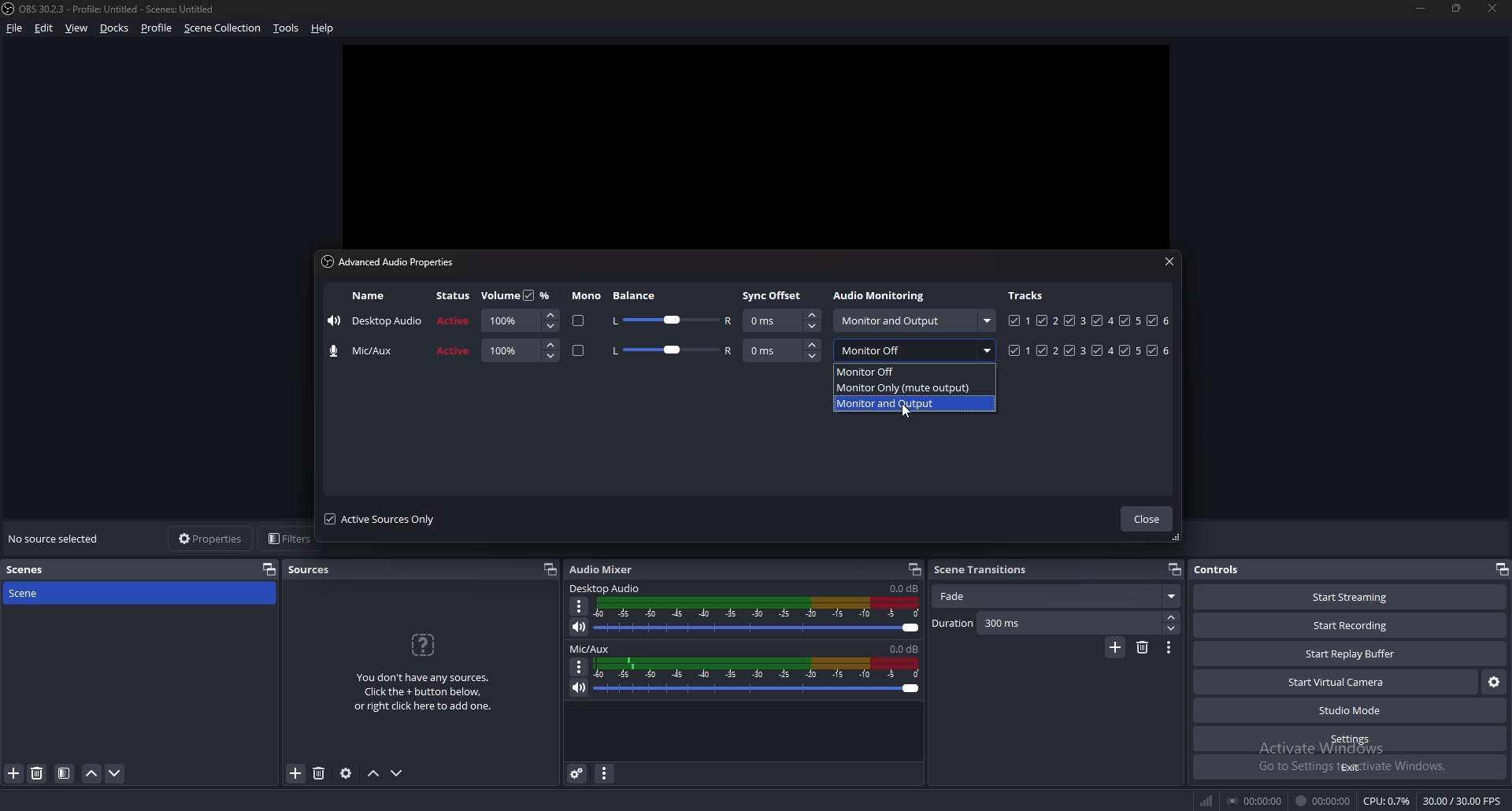 The height and width of the screenshot is (811, 1512). I want to click on volume level, so click(903, 588).